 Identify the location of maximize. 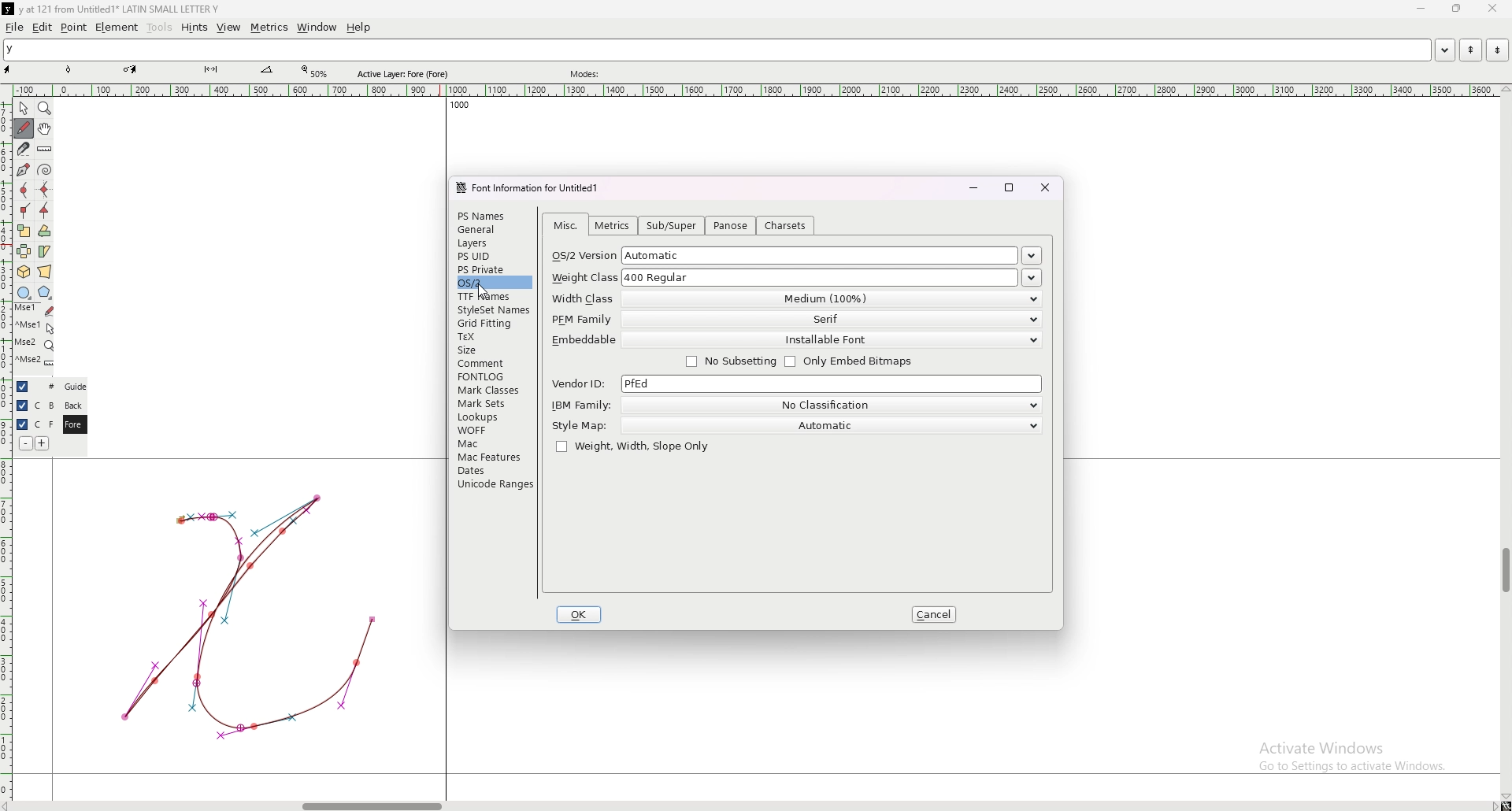
(1010, 187).